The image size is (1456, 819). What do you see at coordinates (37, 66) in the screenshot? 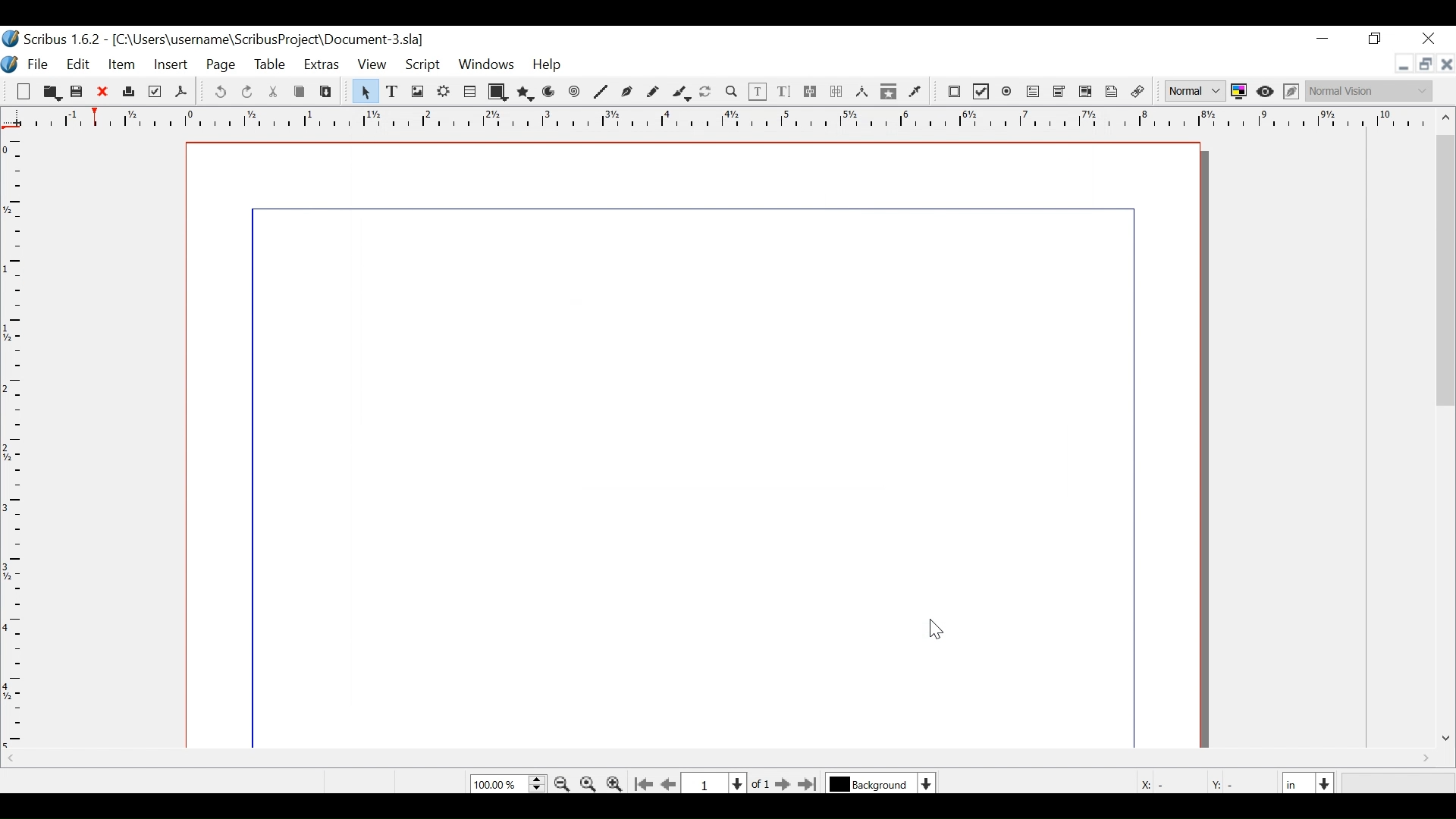
I see `File` at bounding box center [37, 66].